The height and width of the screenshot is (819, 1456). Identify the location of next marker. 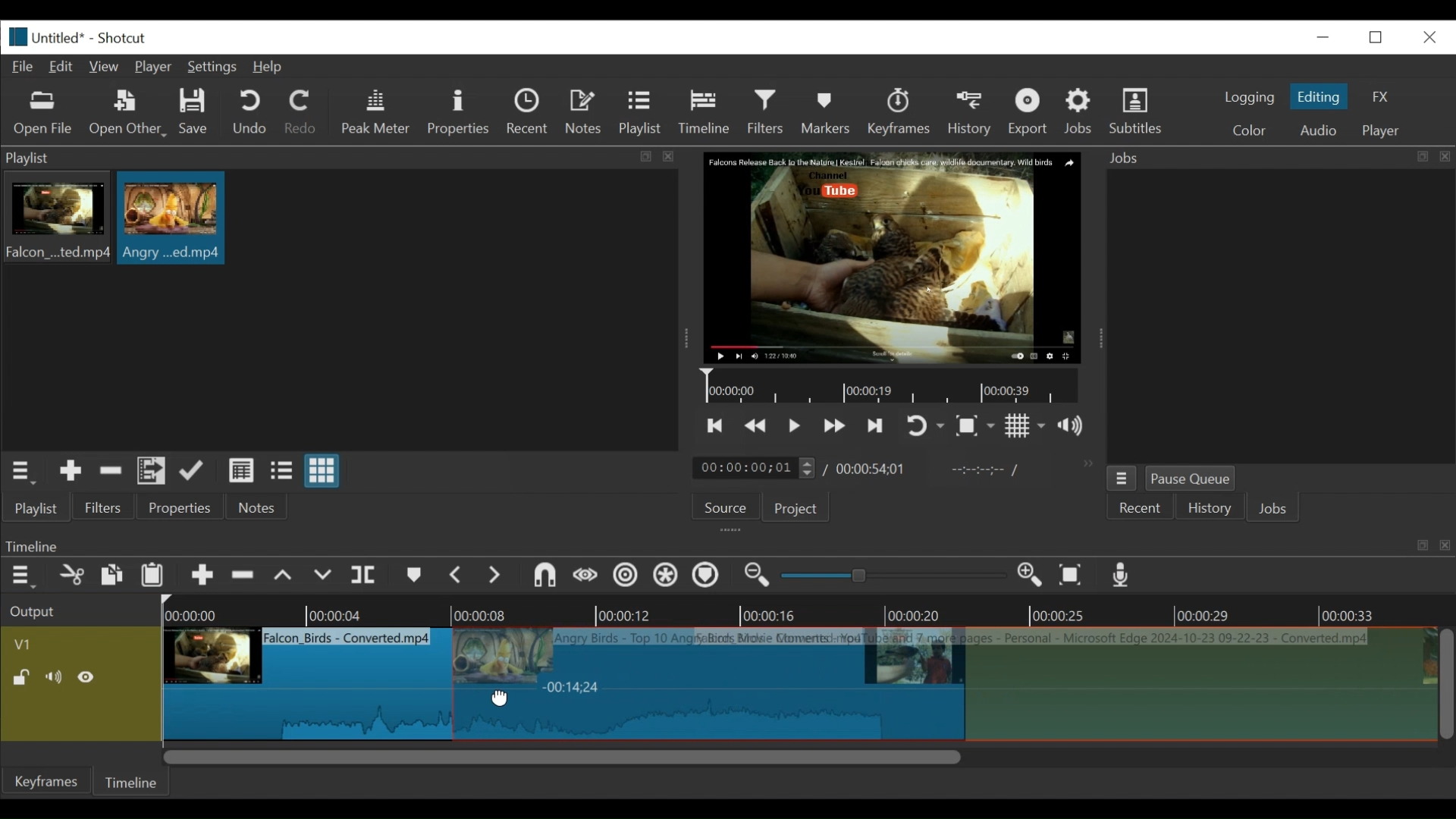
(497, 576).